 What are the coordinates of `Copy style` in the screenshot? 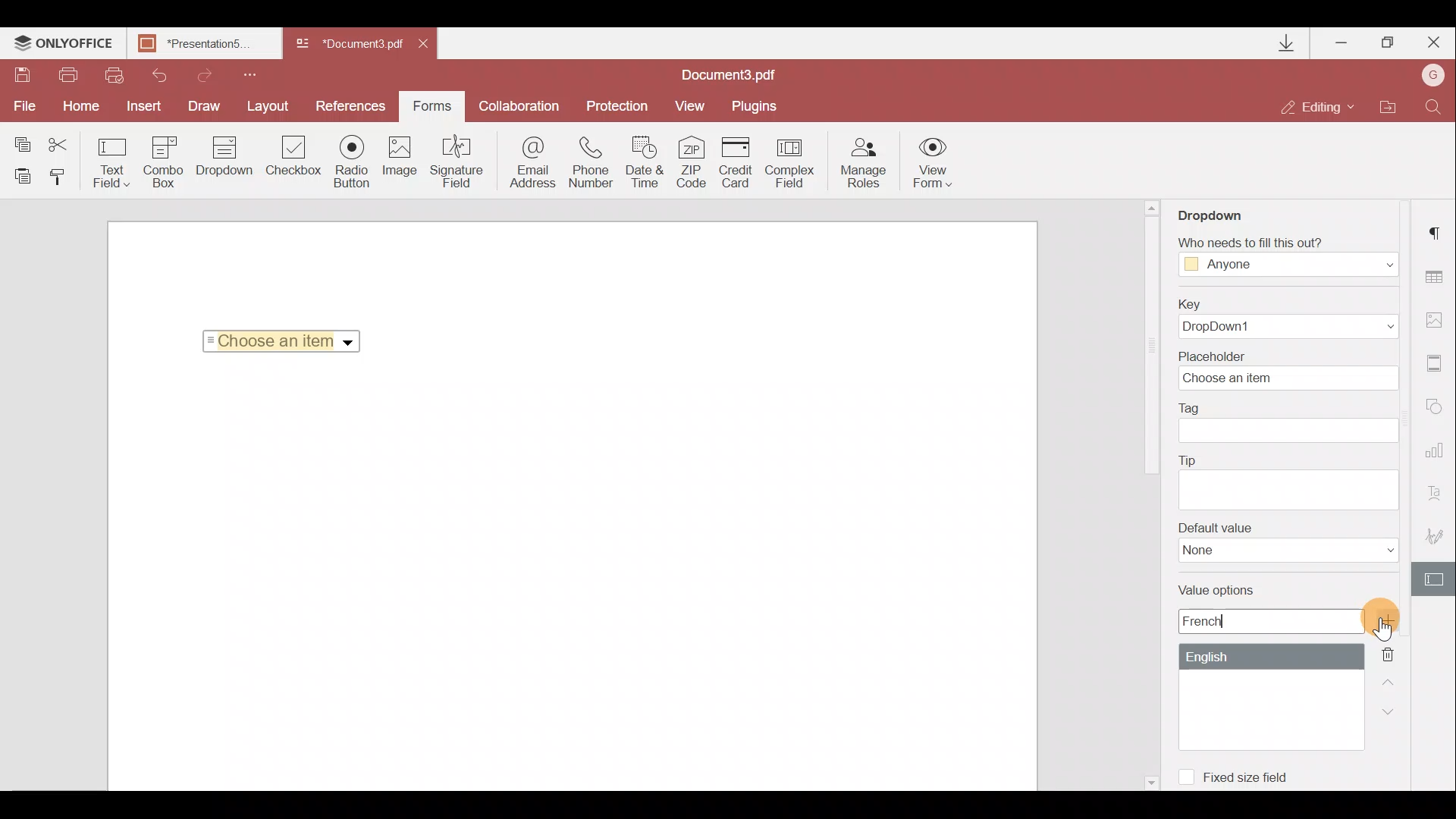 It's located at (62, 176).